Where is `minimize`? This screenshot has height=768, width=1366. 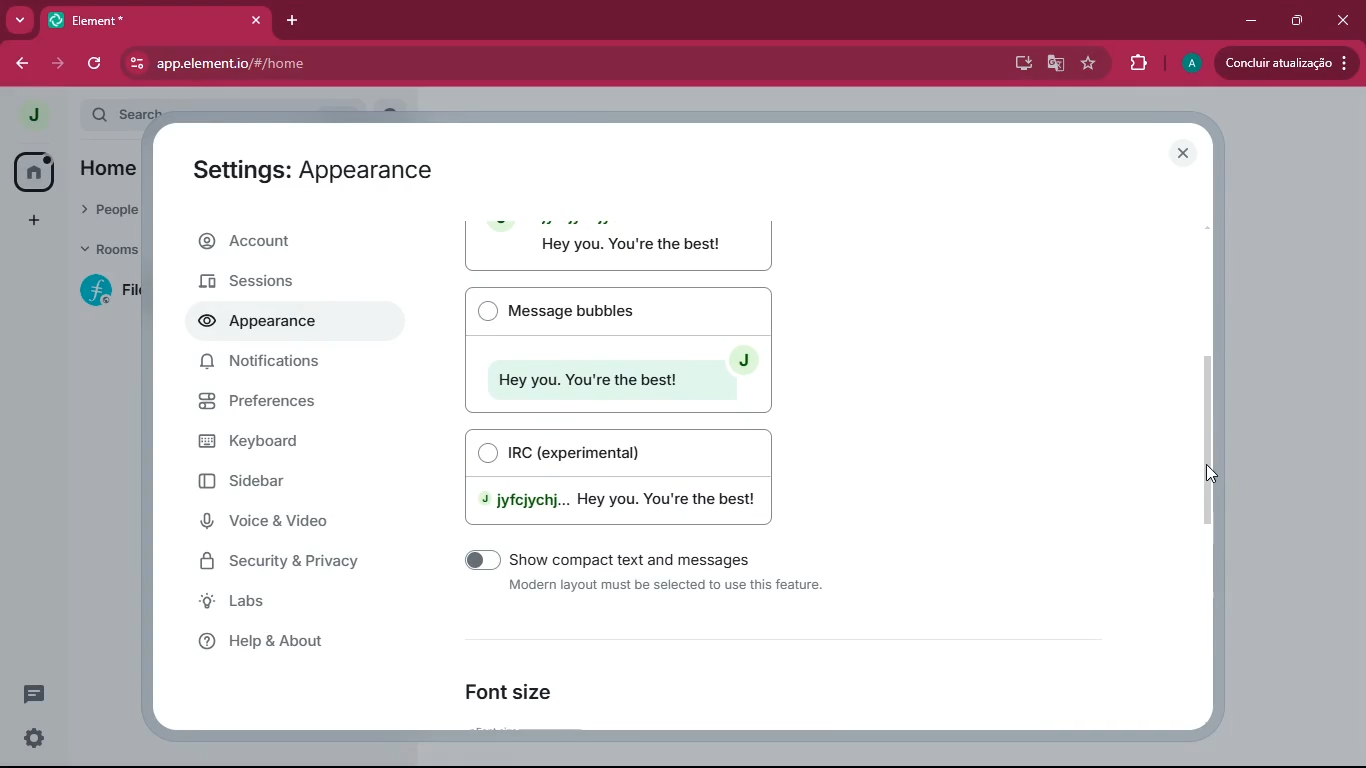 minimize is located at coordinates (1251, 21).